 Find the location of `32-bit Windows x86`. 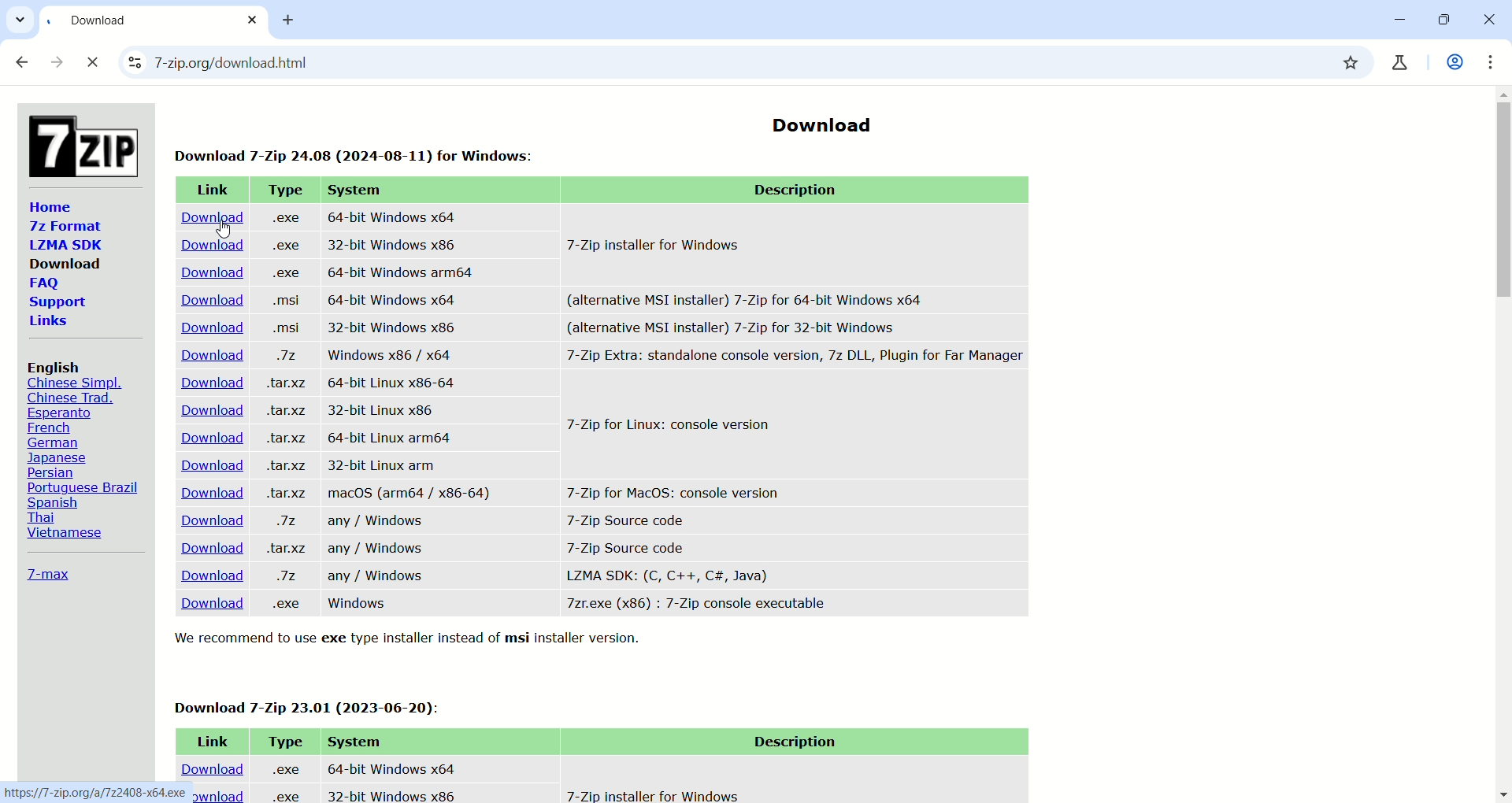

32-bit Windows x86 is located at coordinates (395, 327).